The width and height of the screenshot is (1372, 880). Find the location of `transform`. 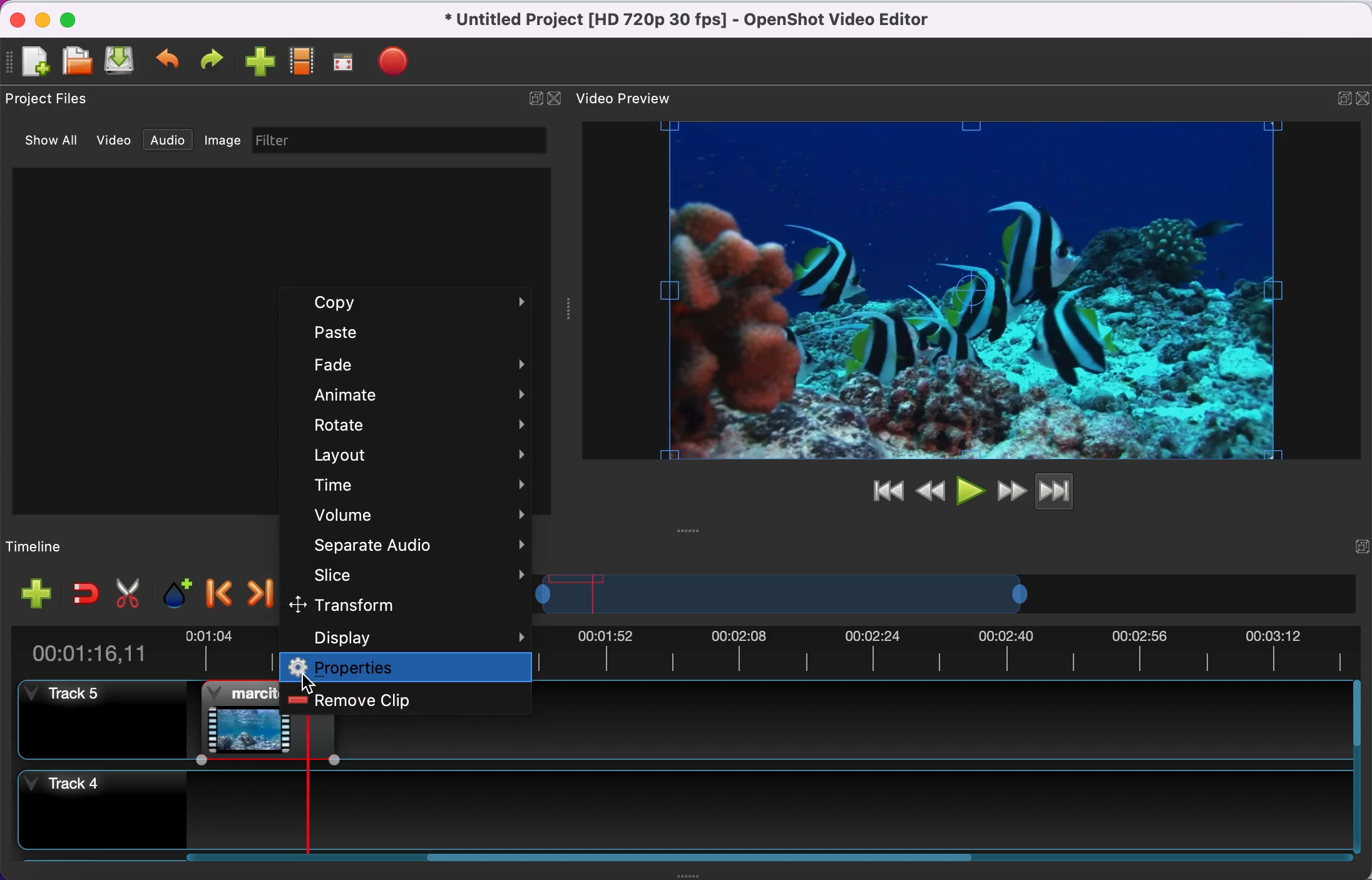

transform is located at coordinates (389, 605).